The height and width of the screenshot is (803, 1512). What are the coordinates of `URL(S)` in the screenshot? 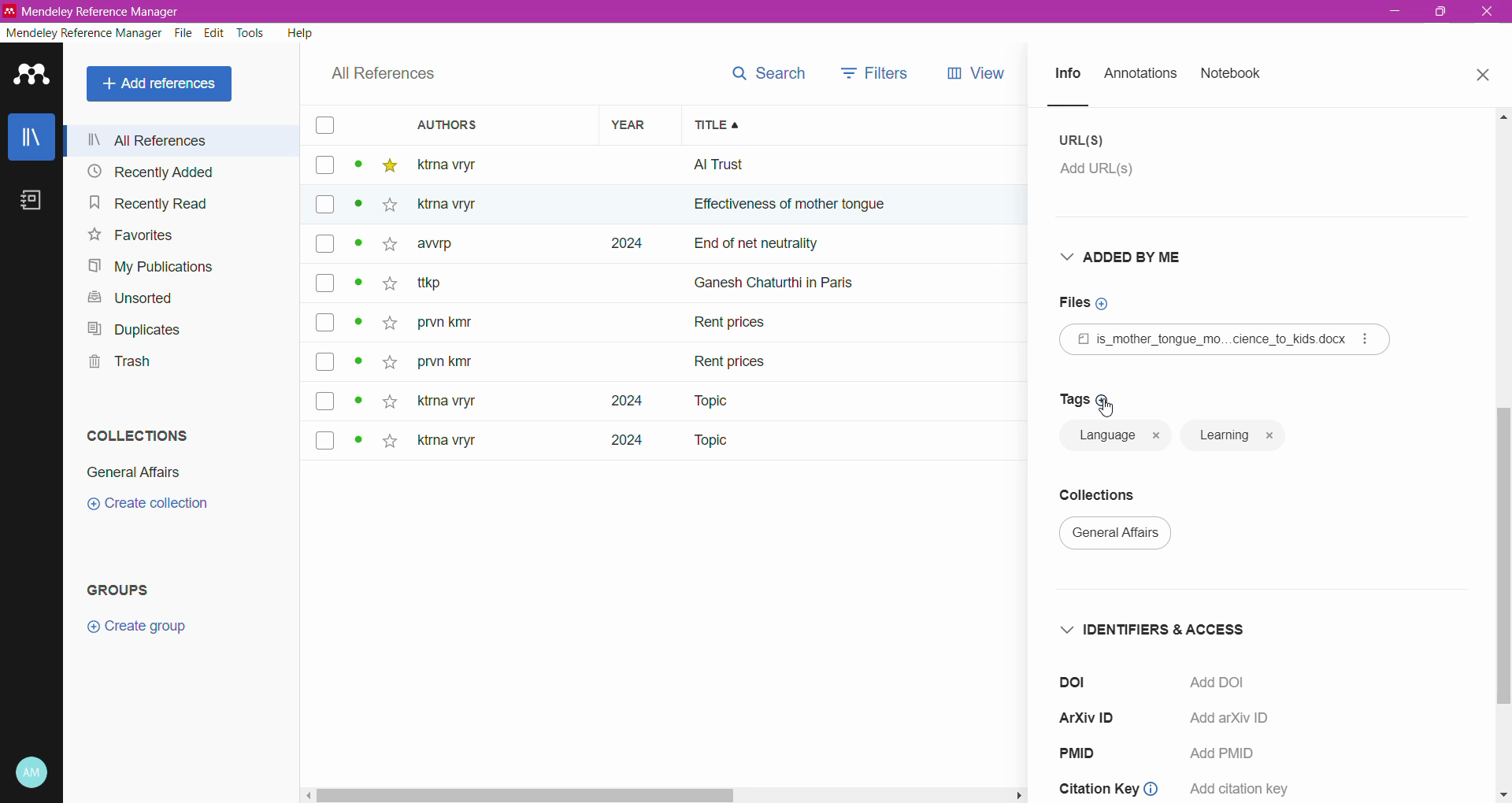 It's located at (1084, 140).